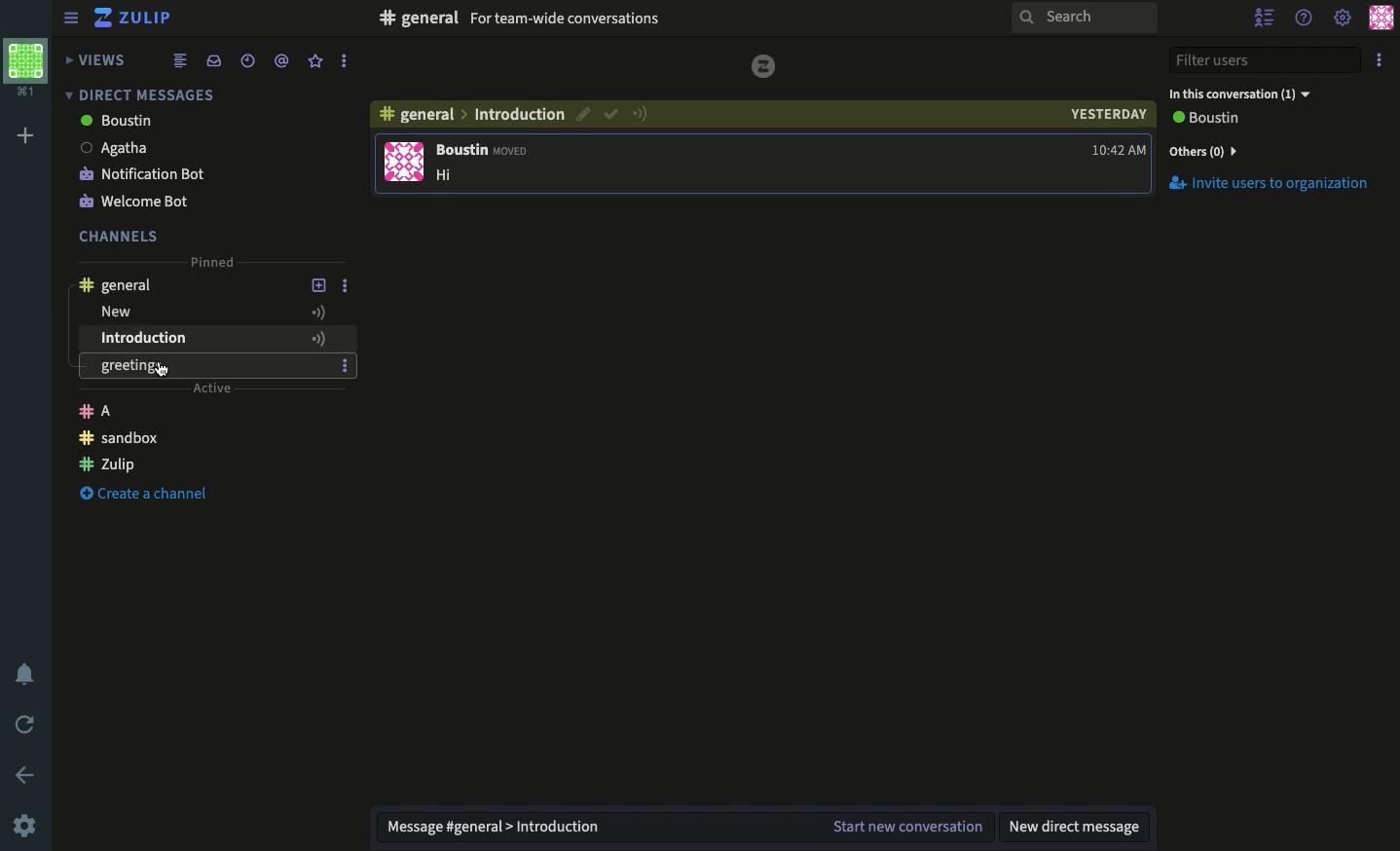 Image resolution: width=1400 pixels, height=851 pixels. Describe the element at coordinates (1078, 826) in the screenshot. I see `New DM` at that location.